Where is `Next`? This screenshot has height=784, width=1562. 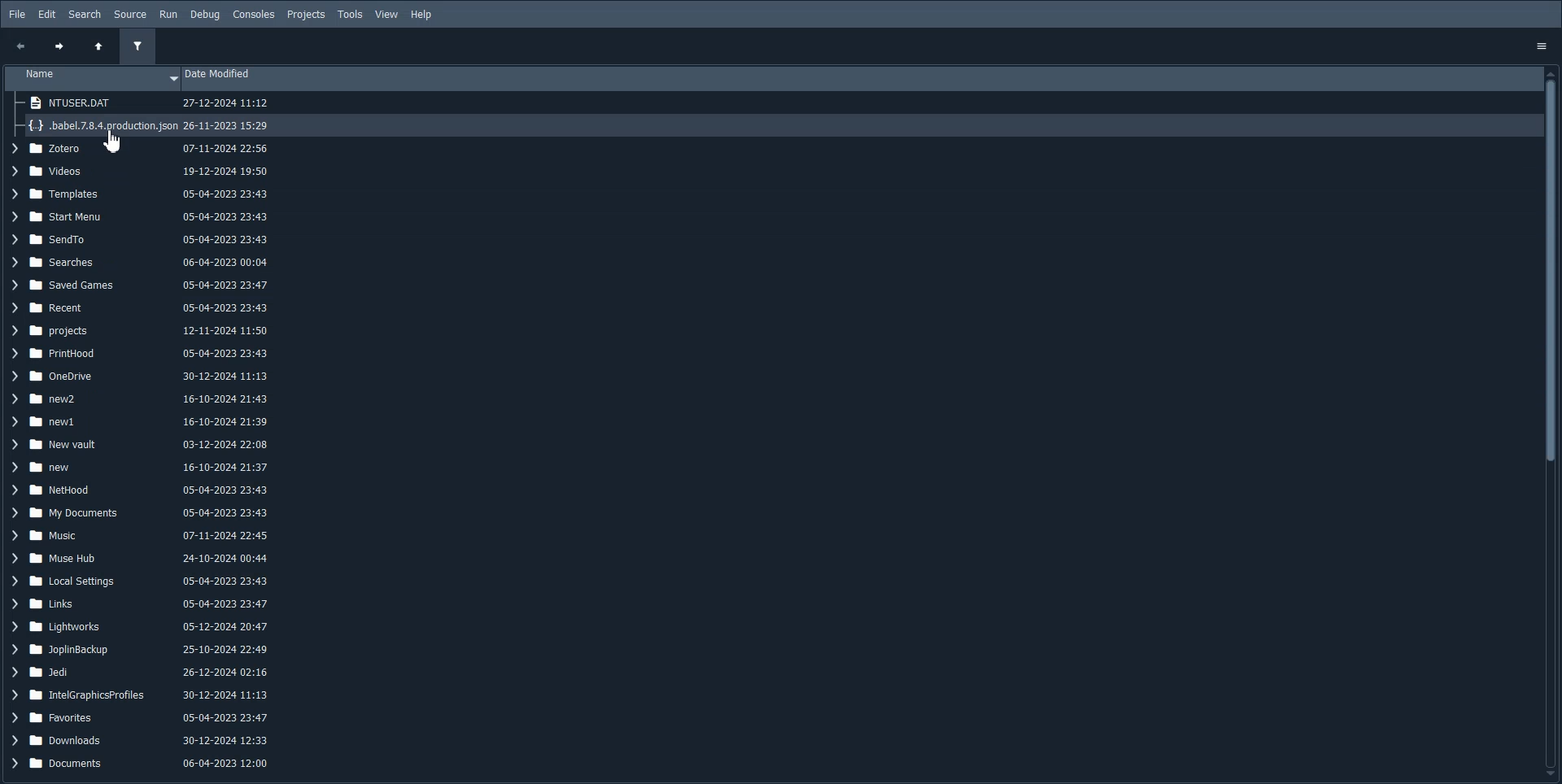
Next is located at coordinates (58, 48).